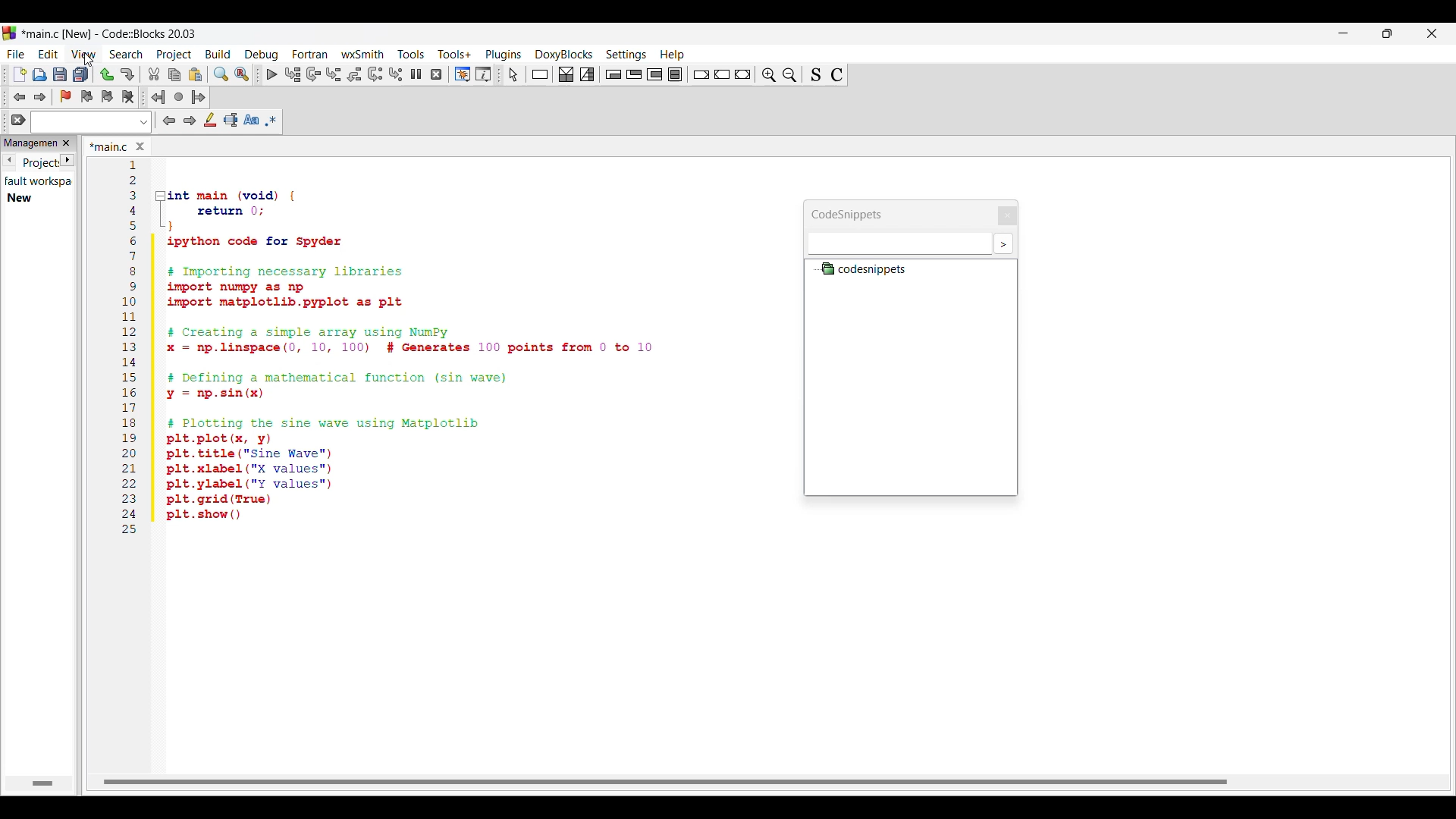  What do you see at coordinates (271, 74) in the screenshot?
I see `Debug/Continue` at bounding box center [271, 74].